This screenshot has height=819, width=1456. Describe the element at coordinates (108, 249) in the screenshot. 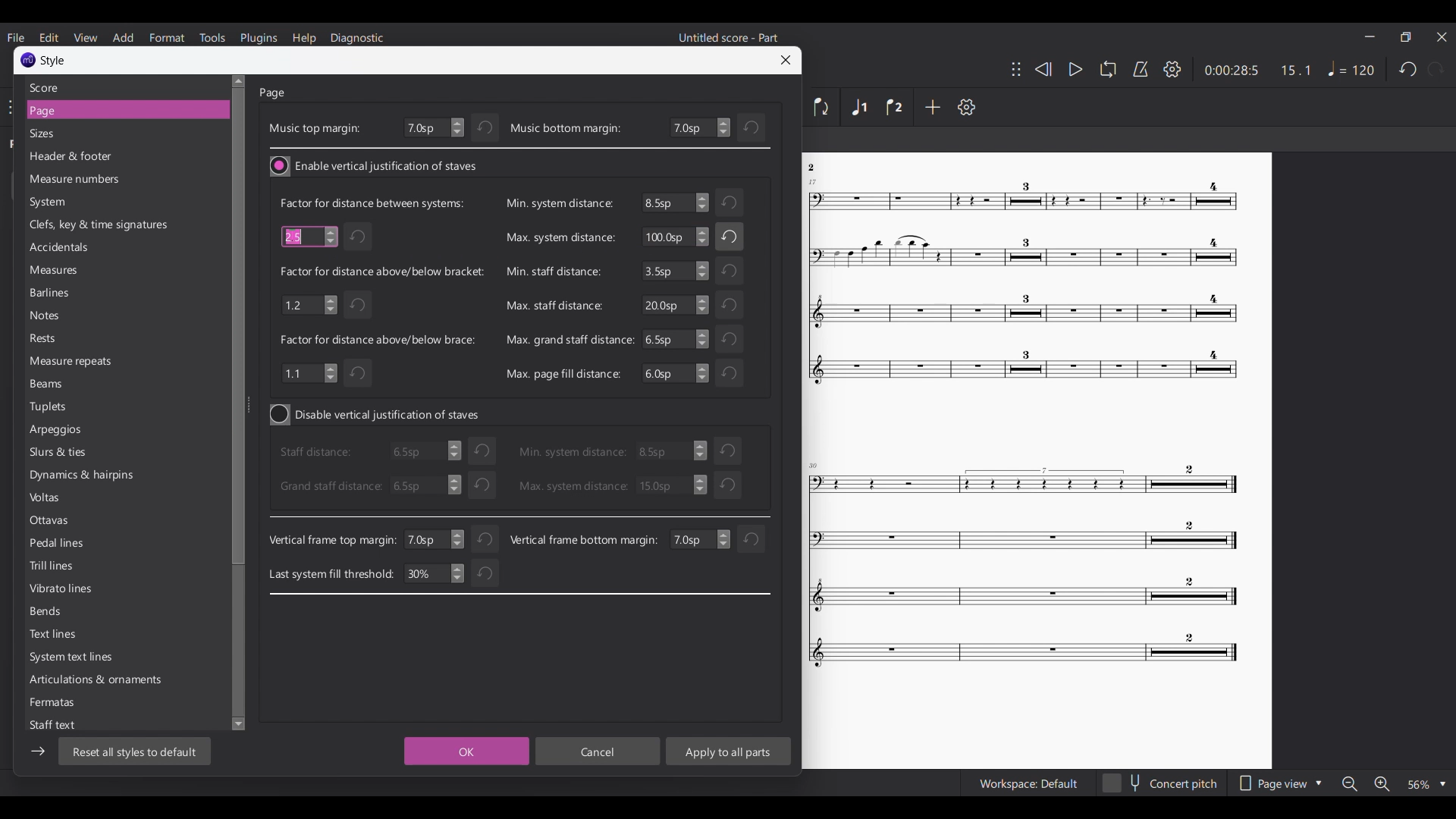

I see `Accidentals` at that location.